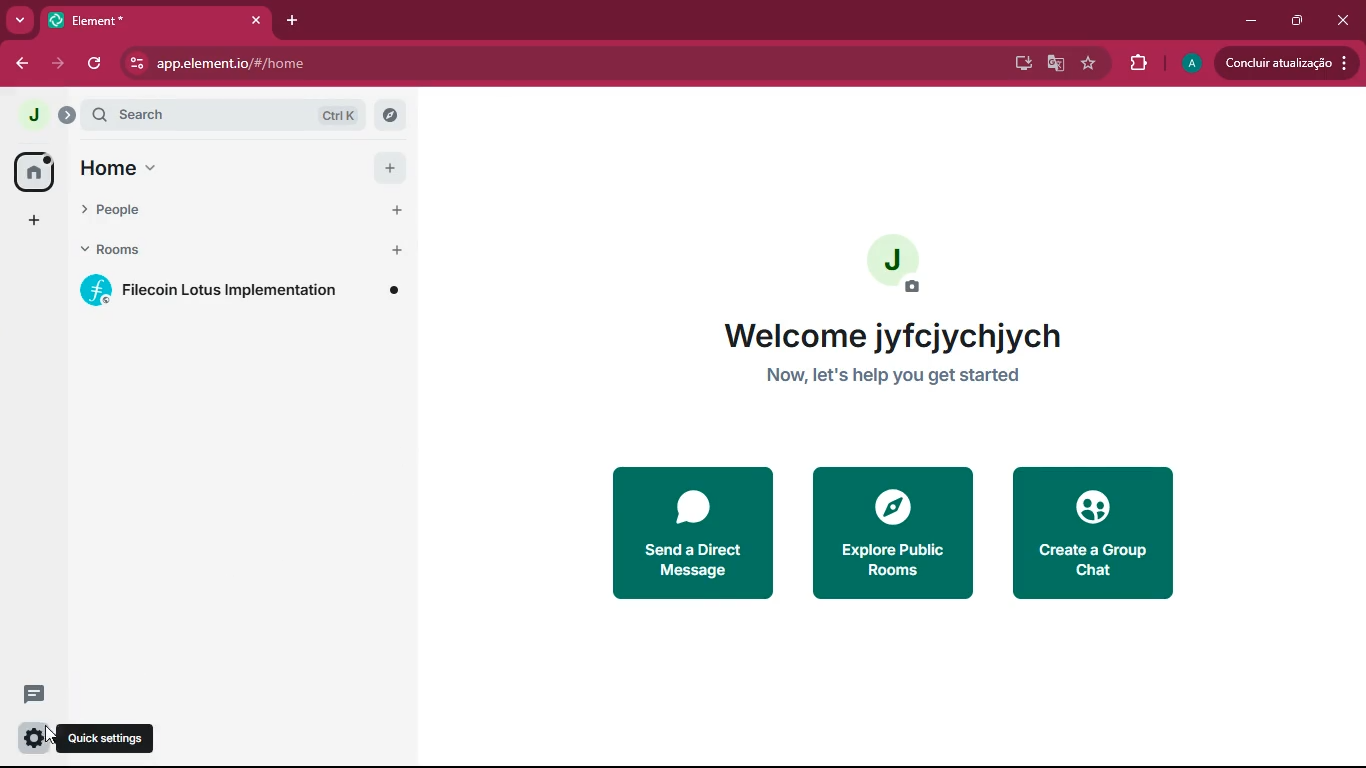  Describe the element at coordinates (105, 738) in the screenshot. I see `quick settings` at that location.